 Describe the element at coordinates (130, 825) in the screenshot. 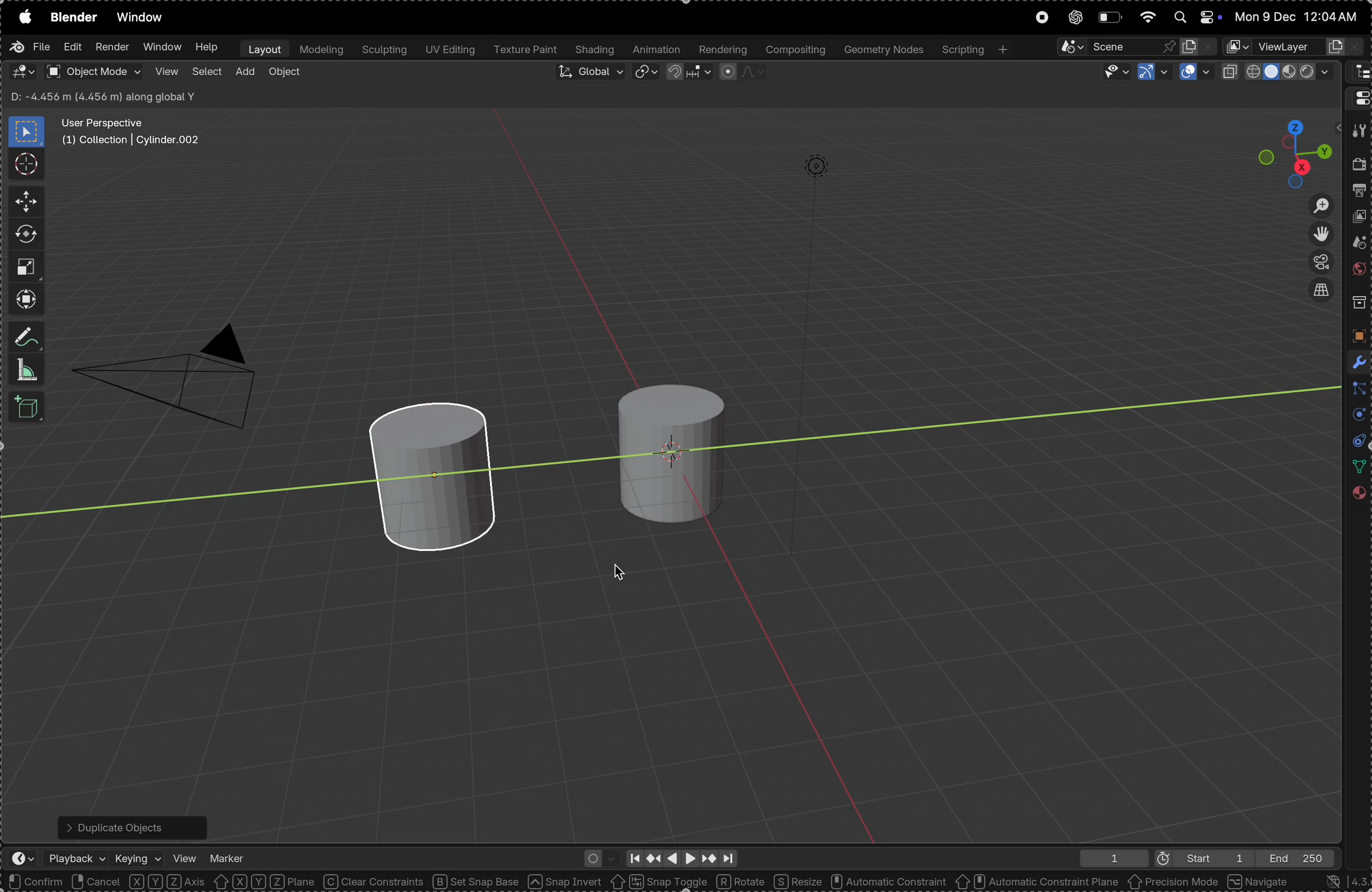

I see `Duplicate objects` at that location.